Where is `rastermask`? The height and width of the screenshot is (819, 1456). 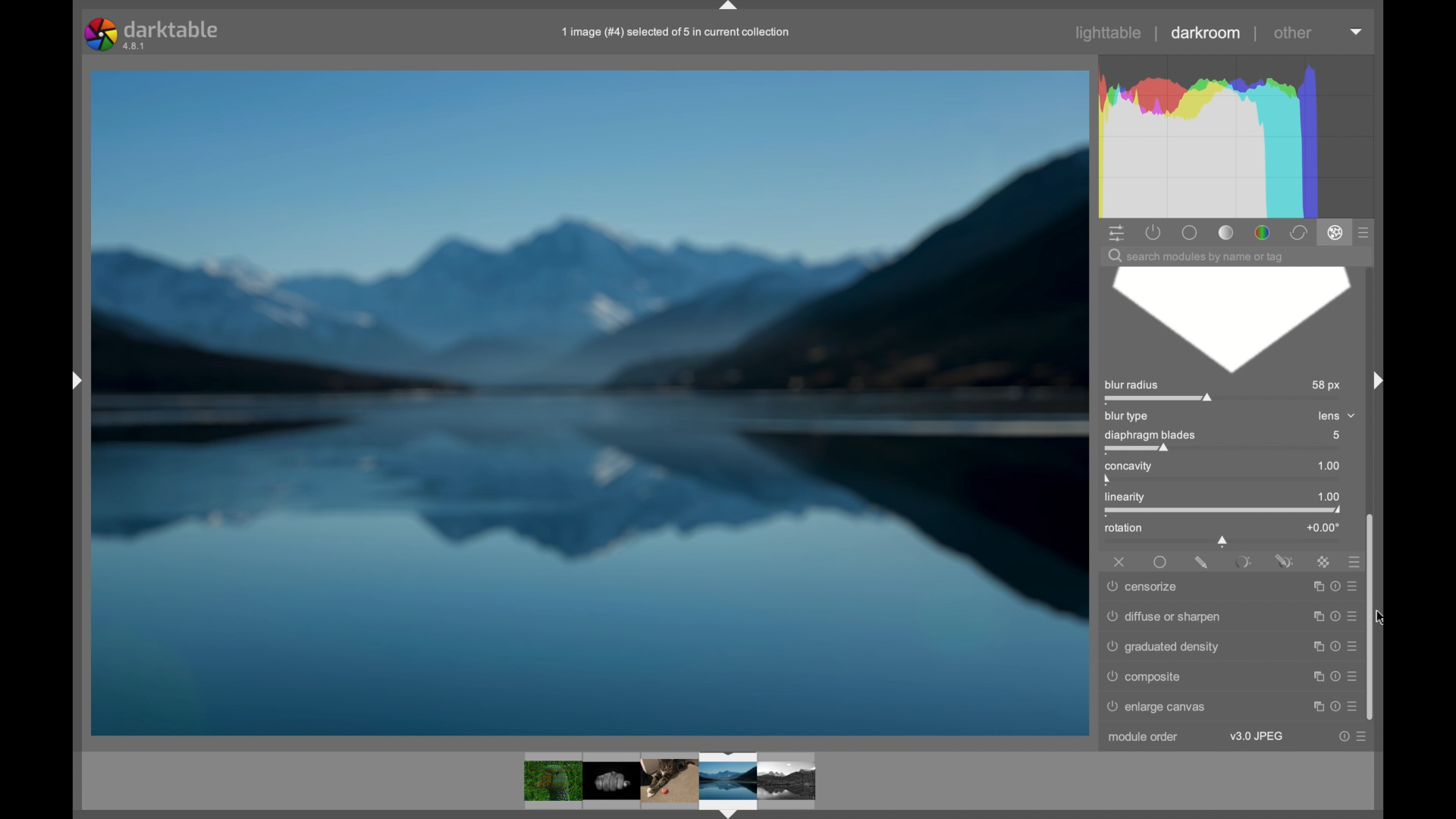
rastermask is located at coordinates (1323, 561).